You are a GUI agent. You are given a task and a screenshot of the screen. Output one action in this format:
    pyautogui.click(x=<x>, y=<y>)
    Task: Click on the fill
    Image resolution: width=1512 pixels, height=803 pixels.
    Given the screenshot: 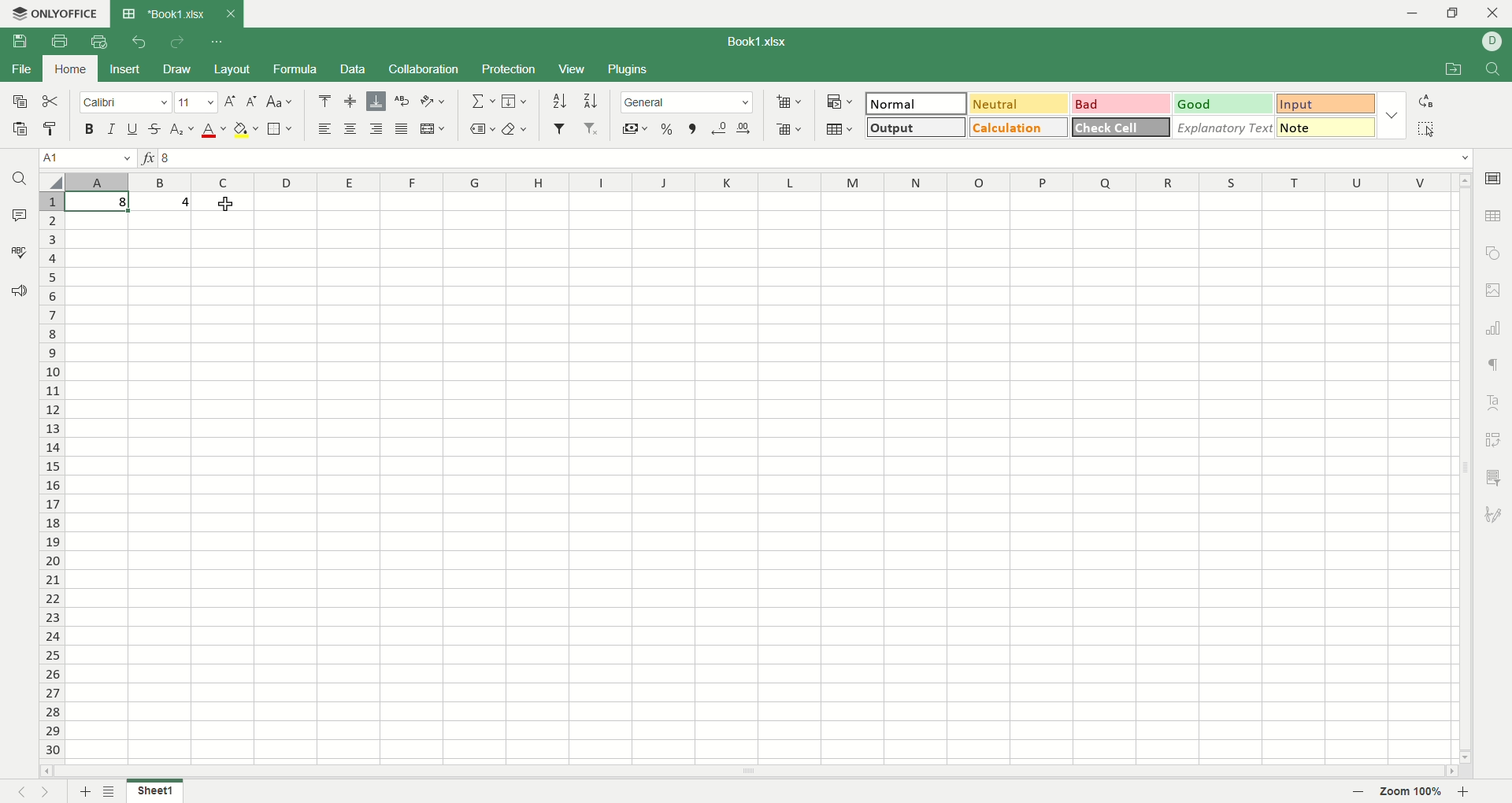 What is the action you would take?
    pyautogui.click(x=515, y=101)
    